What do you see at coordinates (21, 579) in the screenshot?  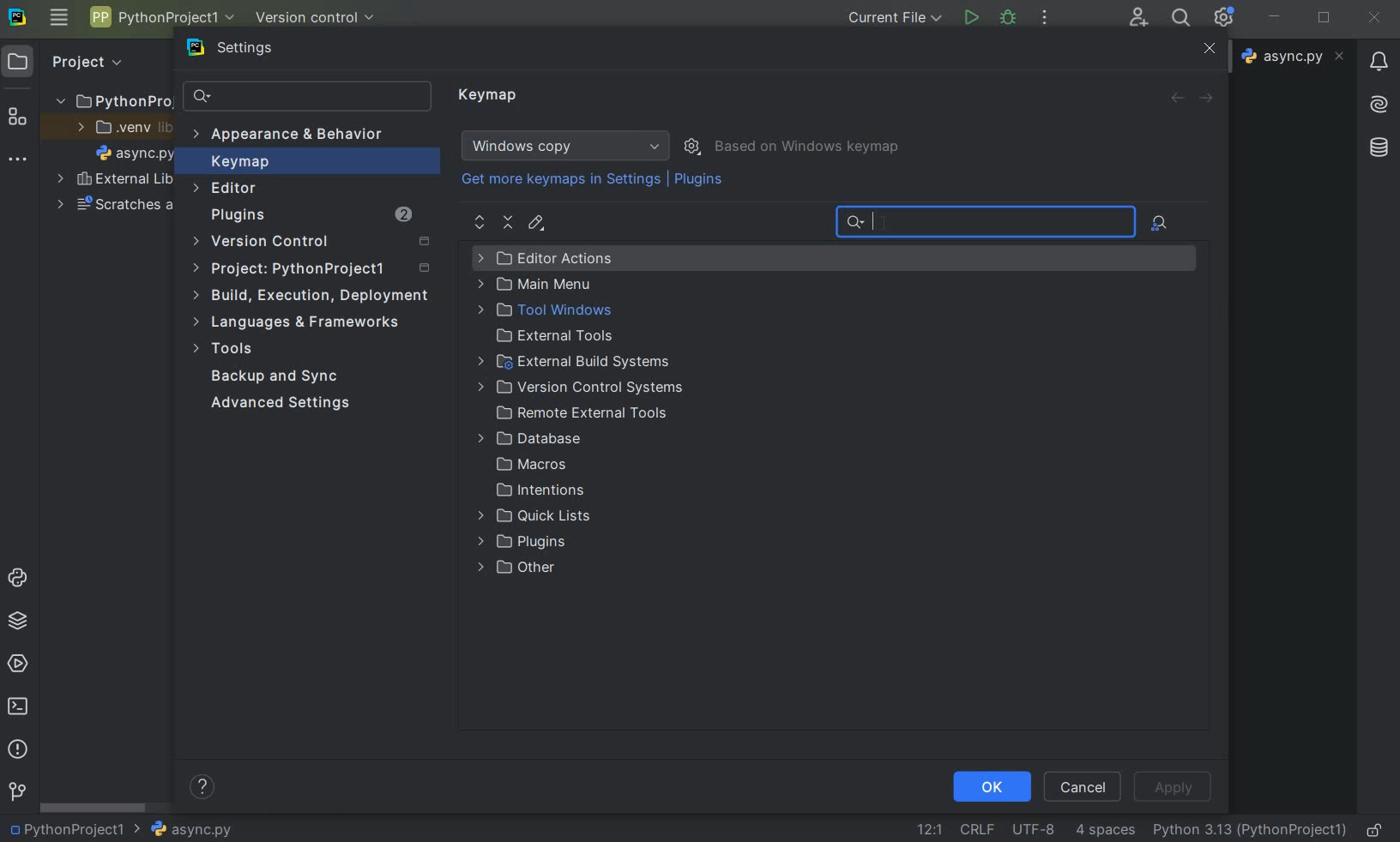 I see `python console` at bounding box center [21, 579].